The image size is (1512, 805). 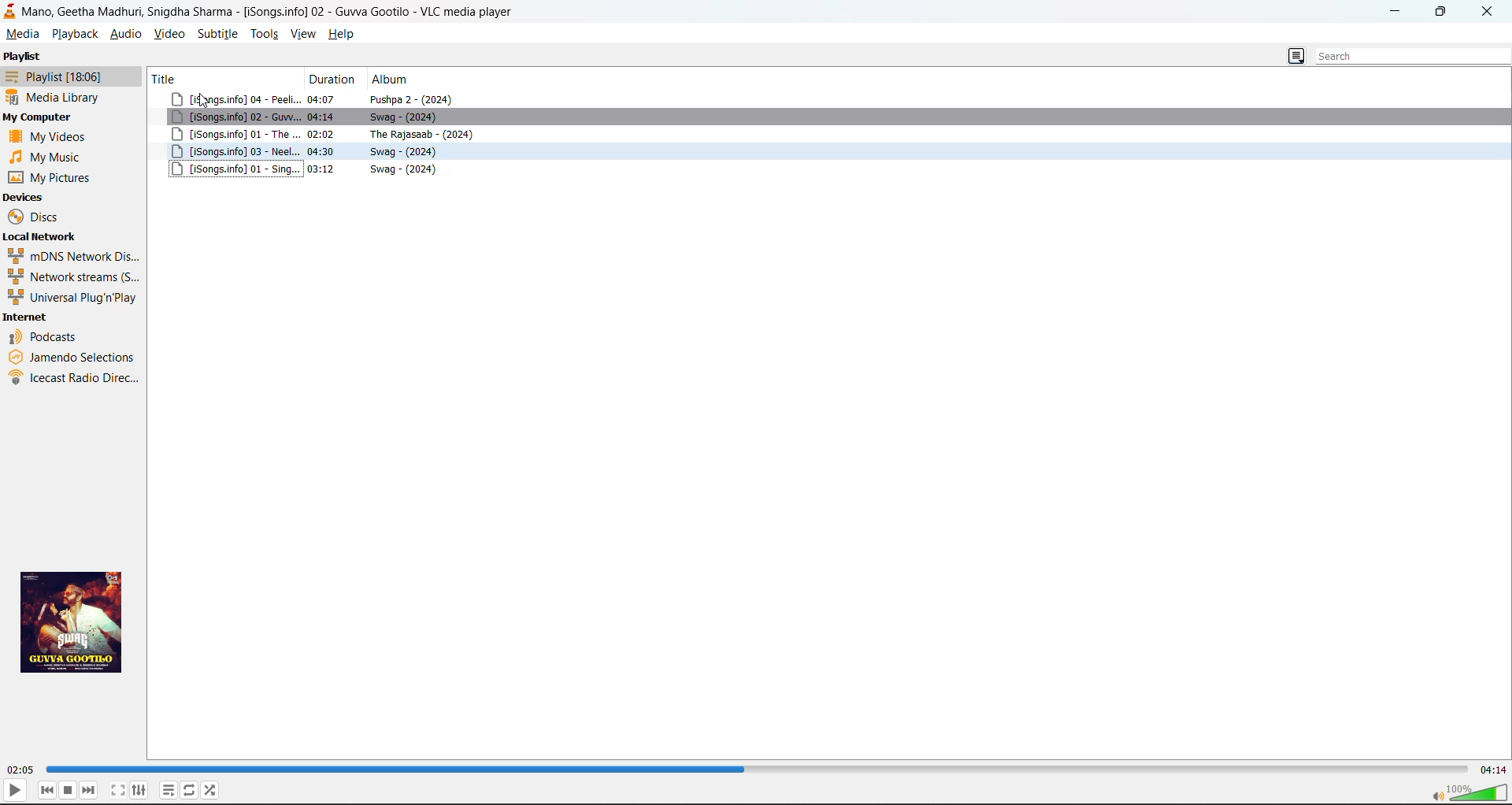 I want to click on jamendo selections, so click(x=74, y=355).